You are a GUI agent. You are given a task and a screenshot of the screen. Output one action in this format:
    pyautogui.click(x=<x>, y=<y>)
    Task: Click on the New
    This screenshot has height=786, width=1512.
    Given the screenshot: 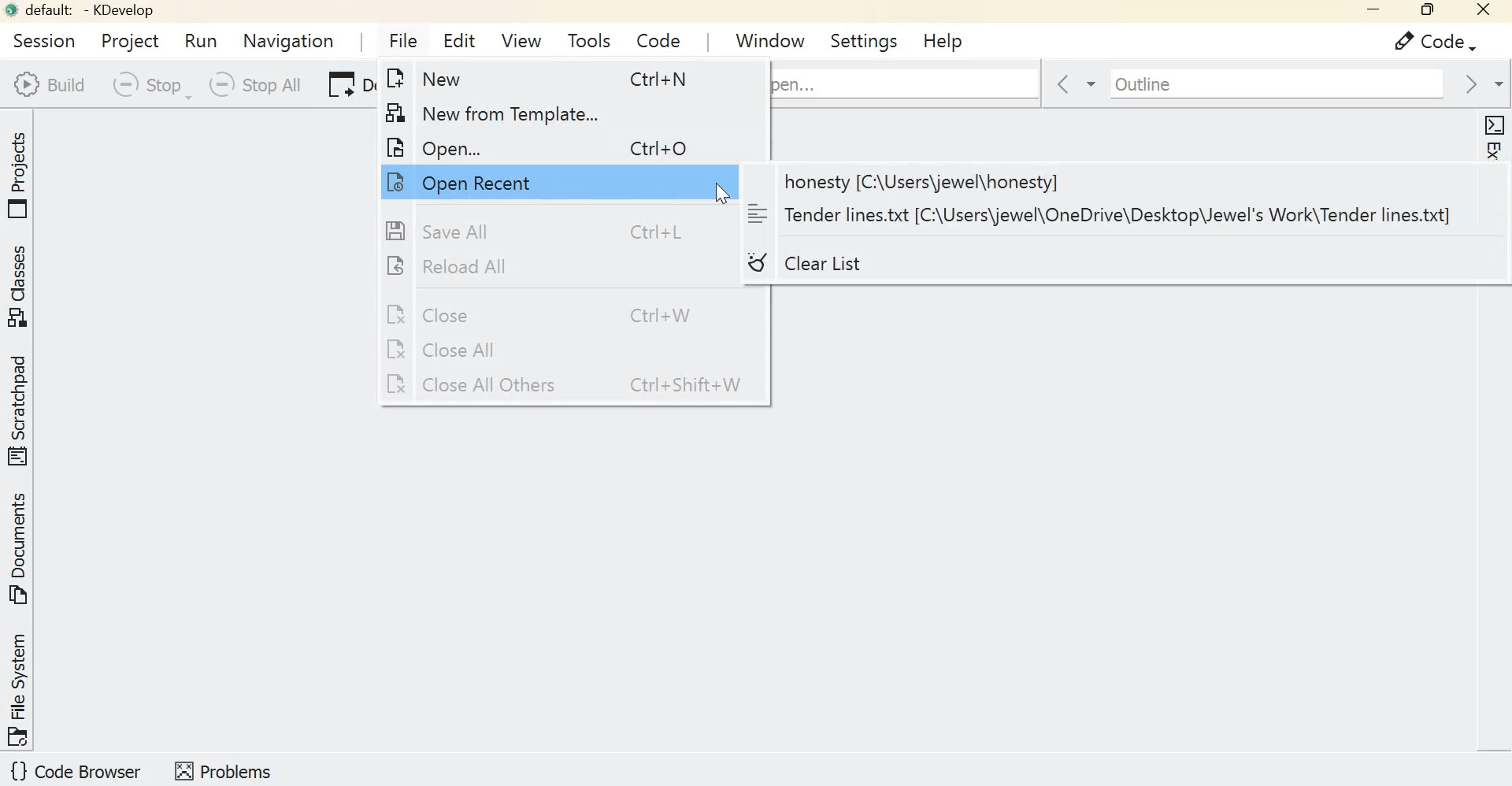 What is the action you would take?
    pyautogui.click(x=561, y=80)
    